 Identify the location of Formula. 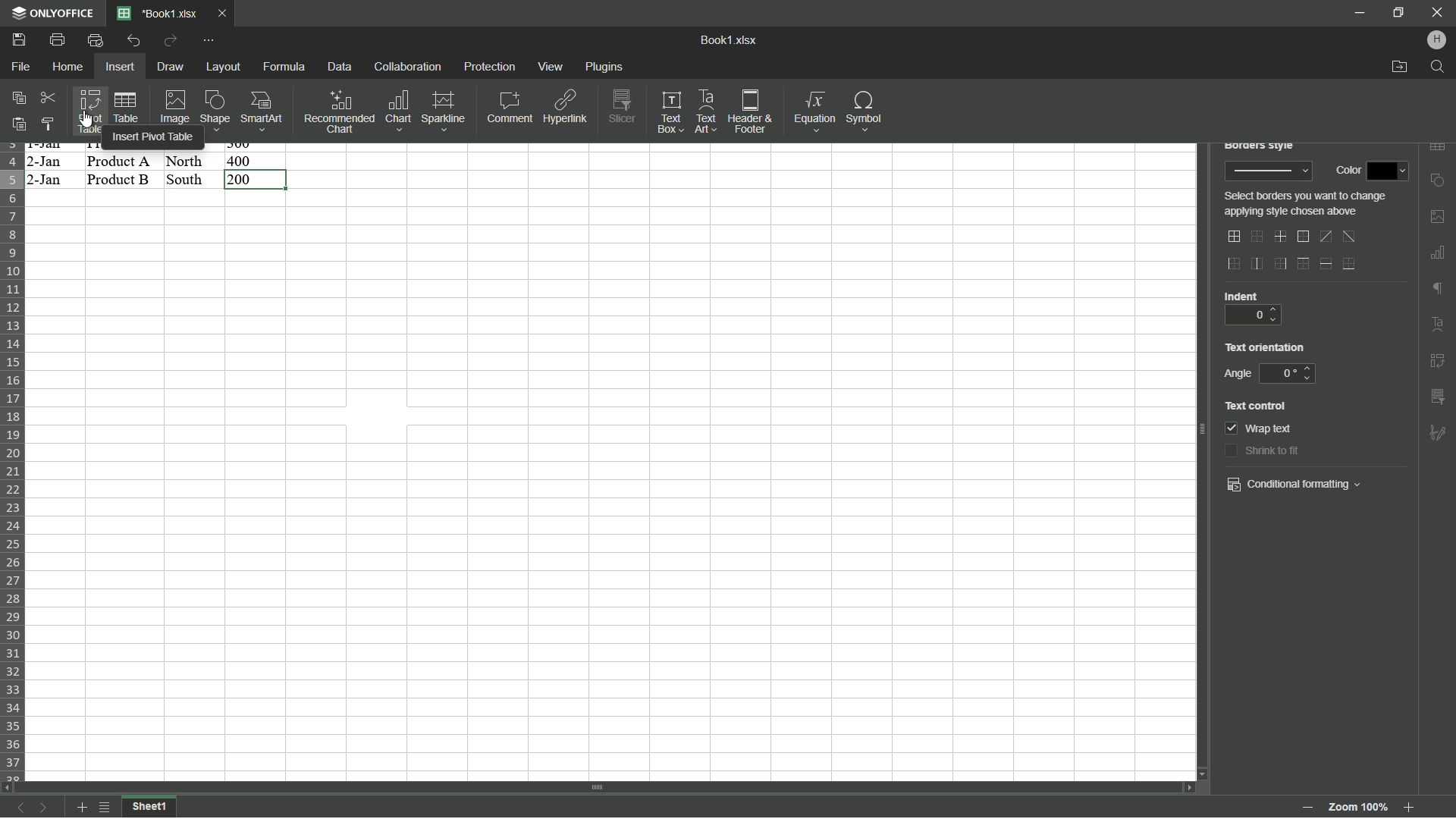
(283, 67).